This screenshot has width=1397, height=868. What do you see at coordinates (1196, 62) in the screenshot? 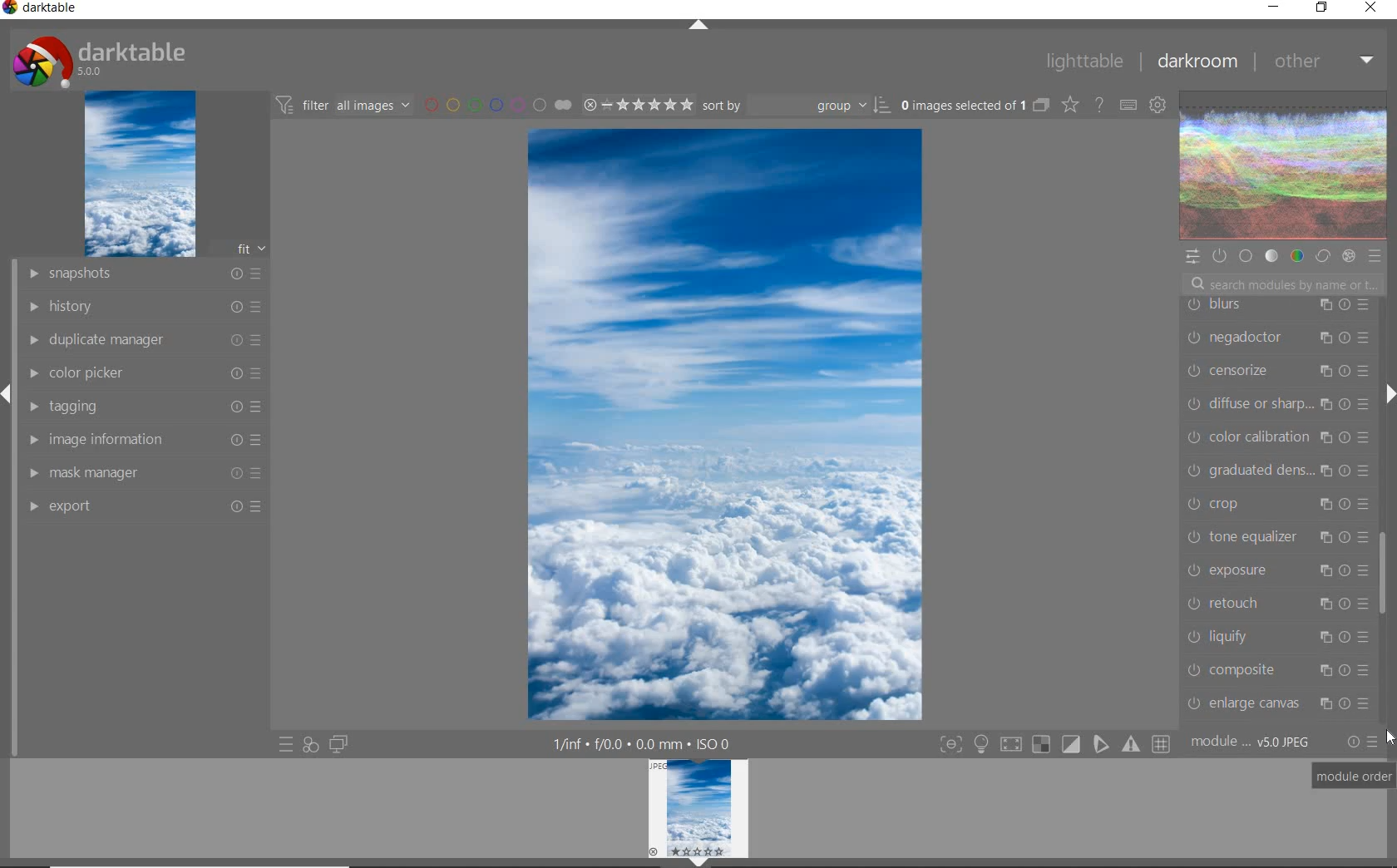
I see `DARKROOM` at bounding box center [1196, 62].